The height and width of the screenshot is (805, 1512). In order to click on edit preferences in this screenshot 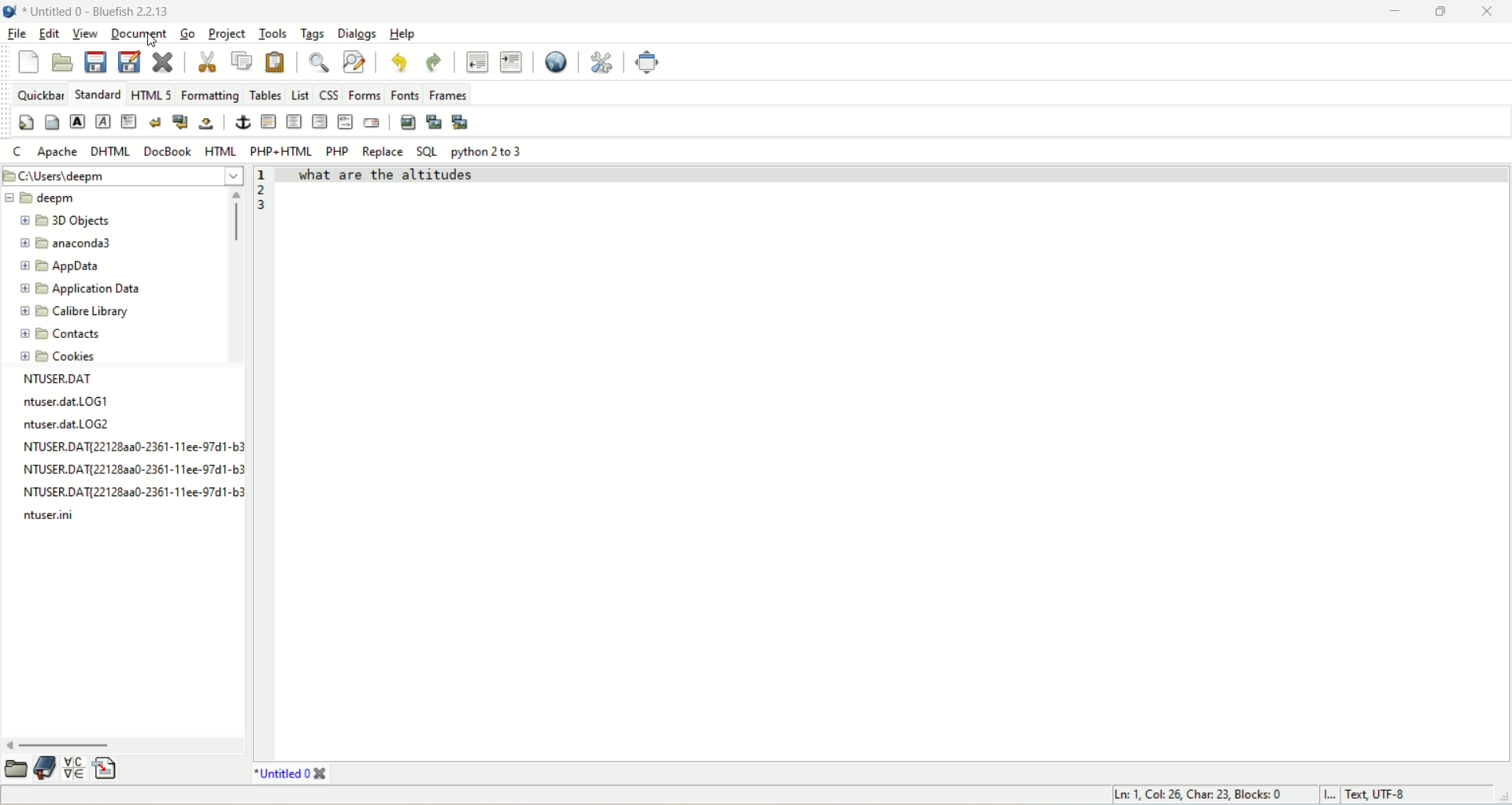, I will do `click(598, 59)`.